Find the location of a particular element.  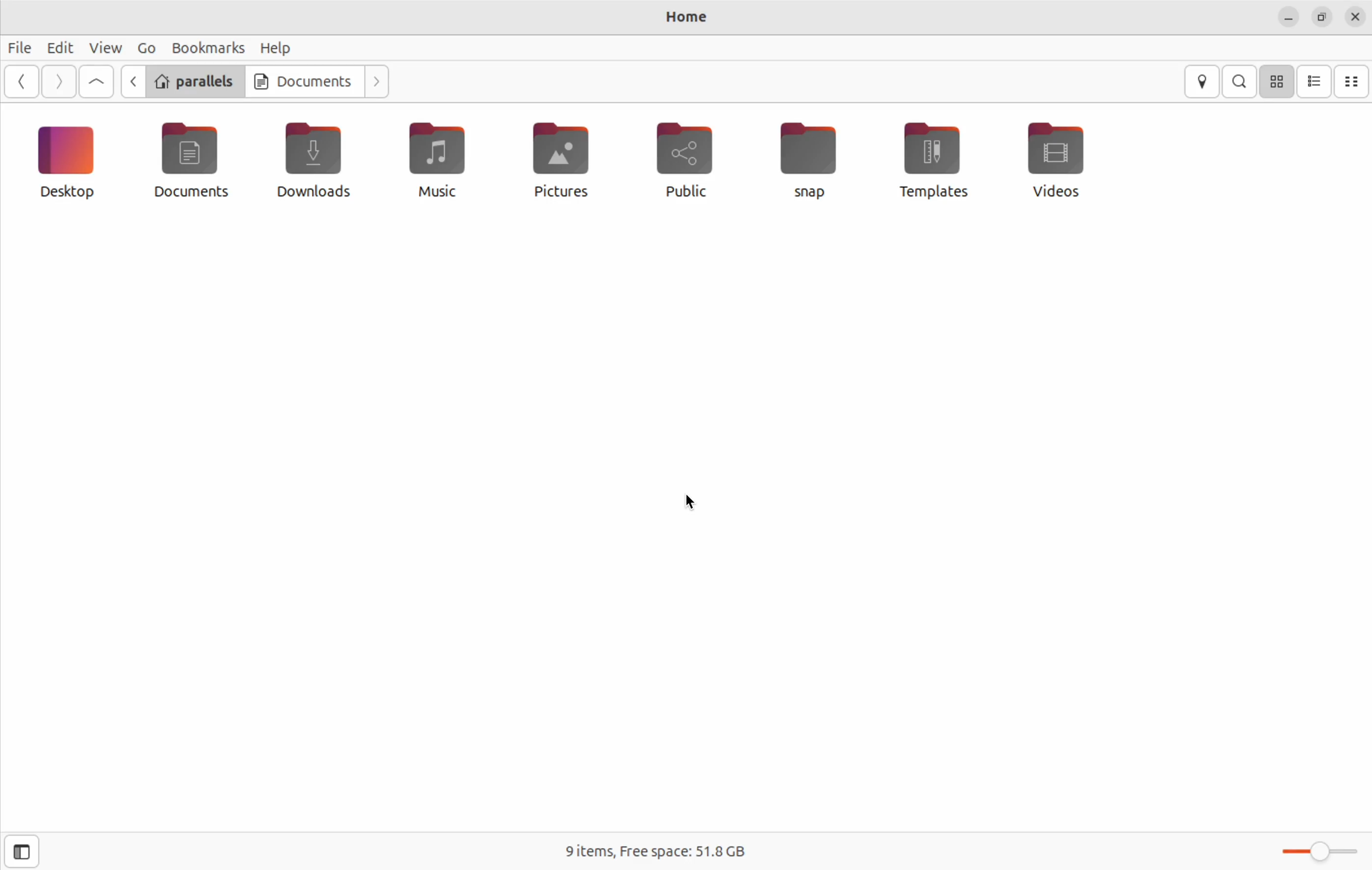

back is located at coordinates (135, 83).